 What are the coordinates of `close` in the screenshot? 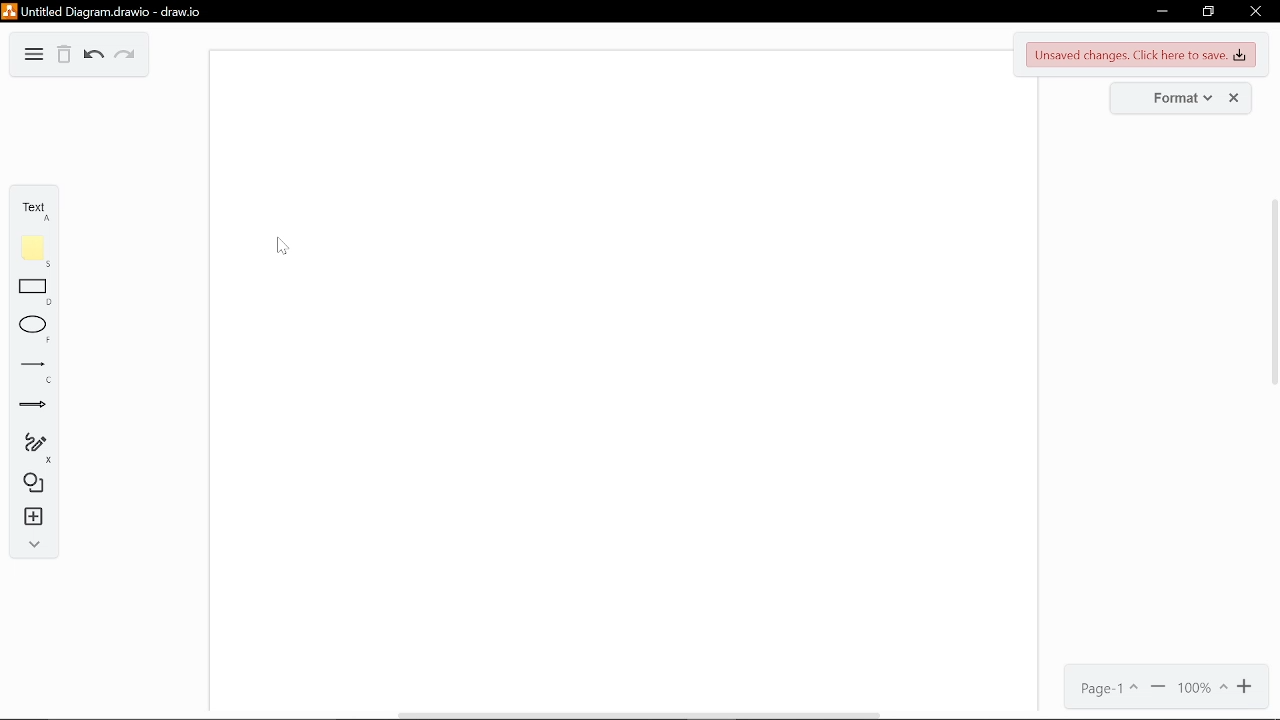 It's located at (1256, 14).